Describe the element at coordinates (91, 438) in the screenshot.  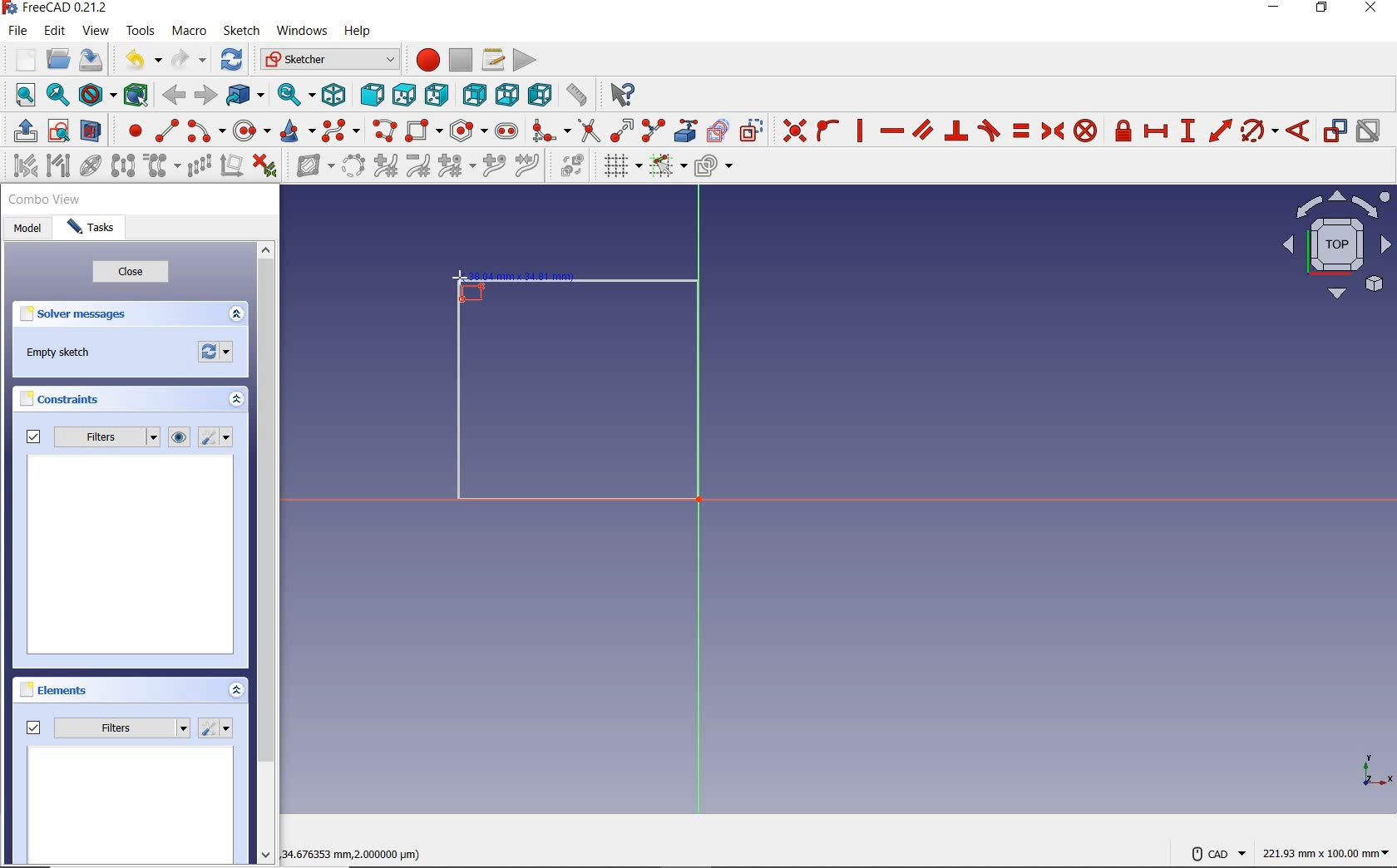
I see `filters` at that location.